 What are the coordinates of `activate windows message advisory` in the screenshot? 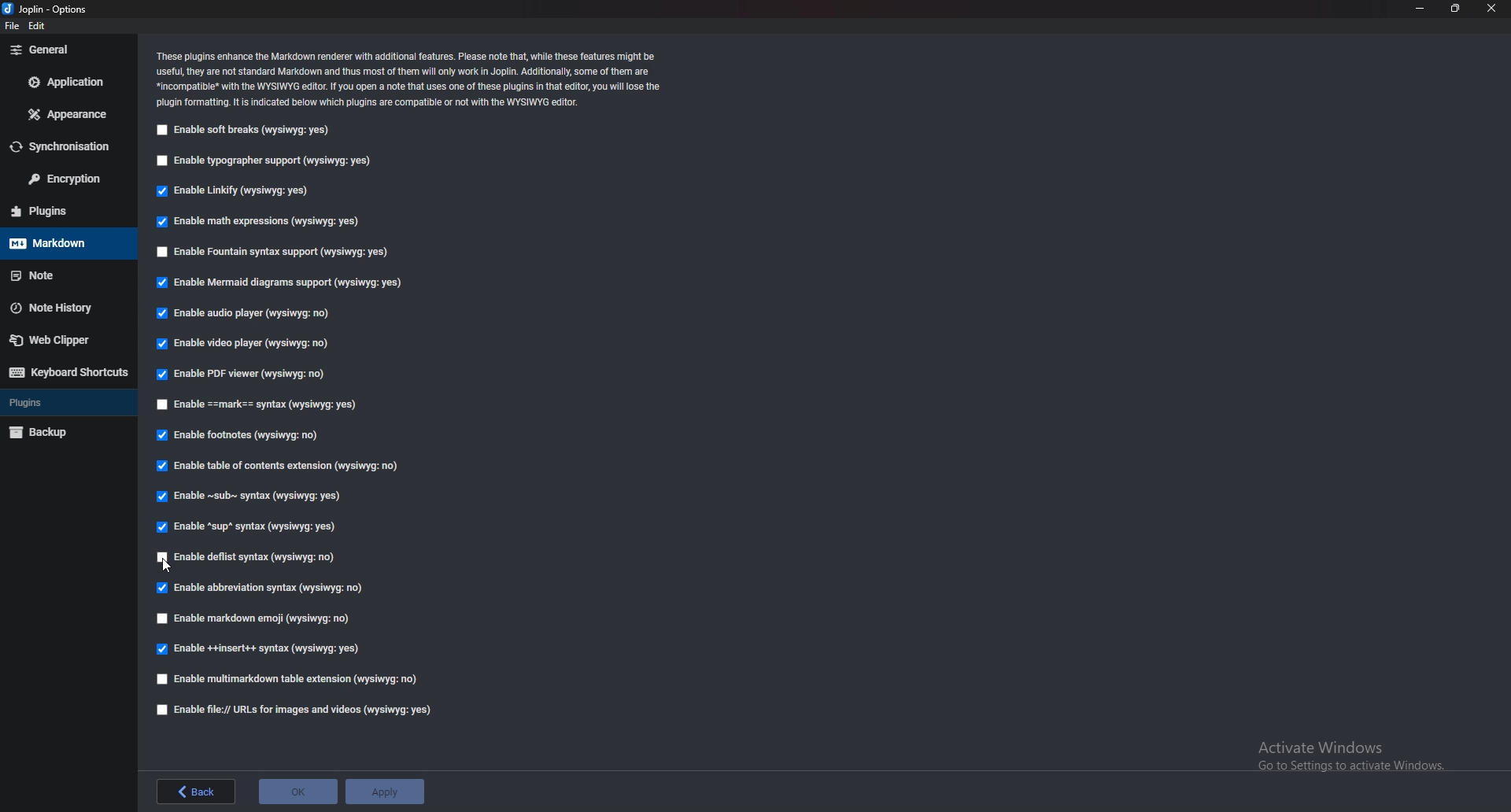 It's located at (1349, 755).